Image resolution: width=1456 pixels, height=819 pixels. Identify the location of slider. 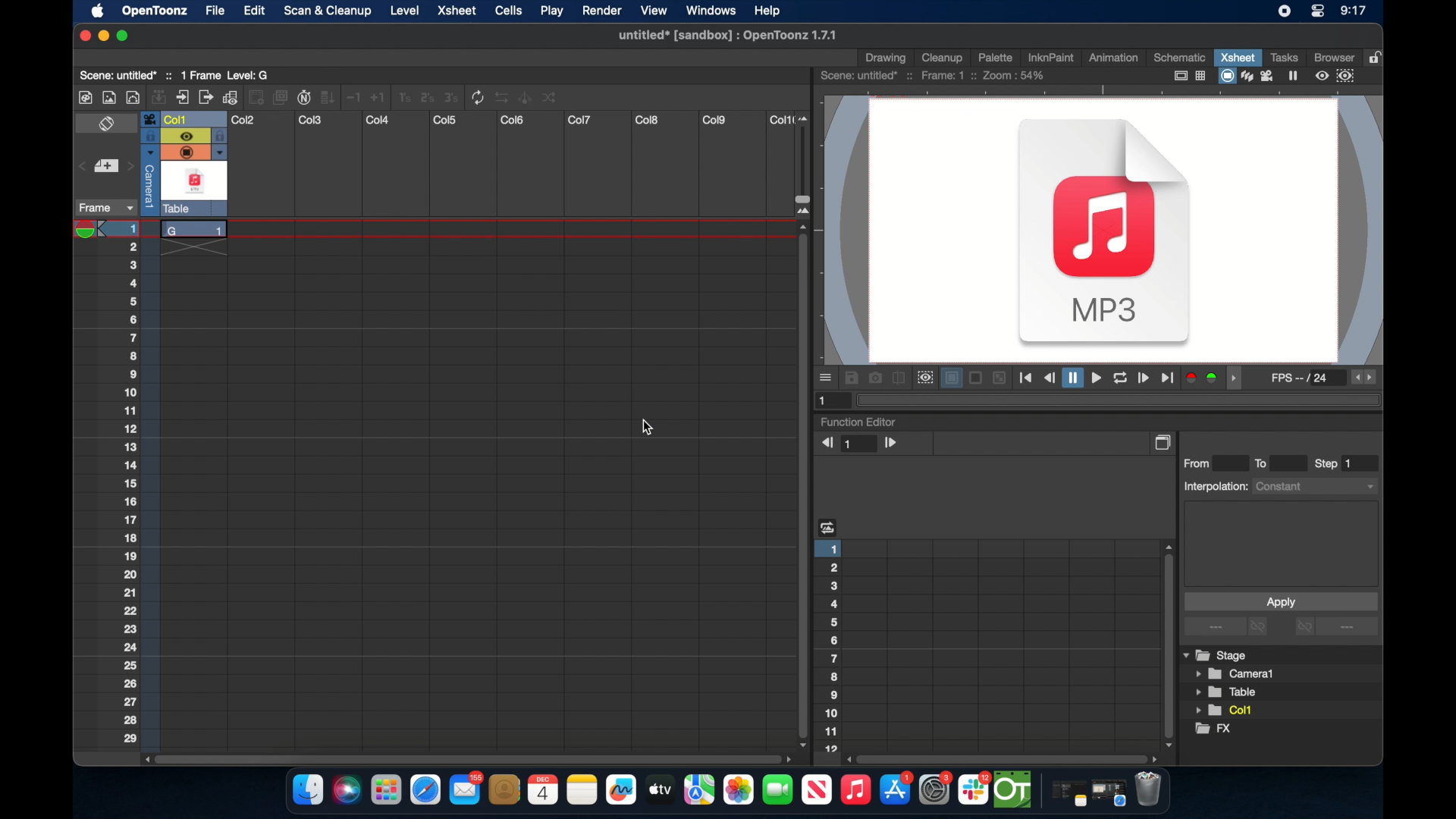
(808, 165).